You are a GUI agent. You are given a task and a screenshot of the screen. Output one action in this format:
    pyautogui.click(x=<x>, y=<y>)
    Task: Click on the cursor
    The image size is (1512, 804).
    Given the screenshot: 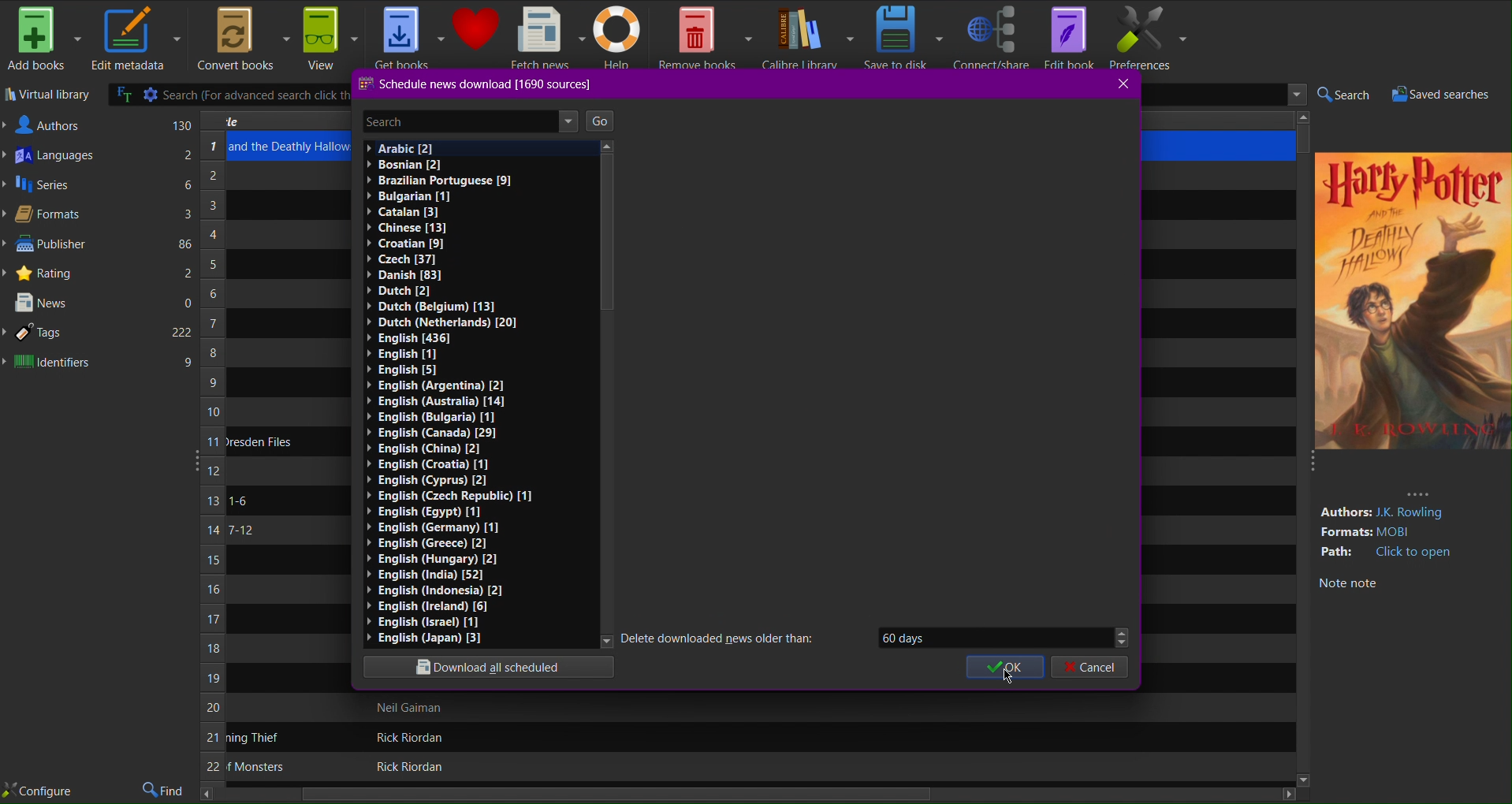 What is the action you would take?
    pyautogui.click(x=1007, y=677)
    